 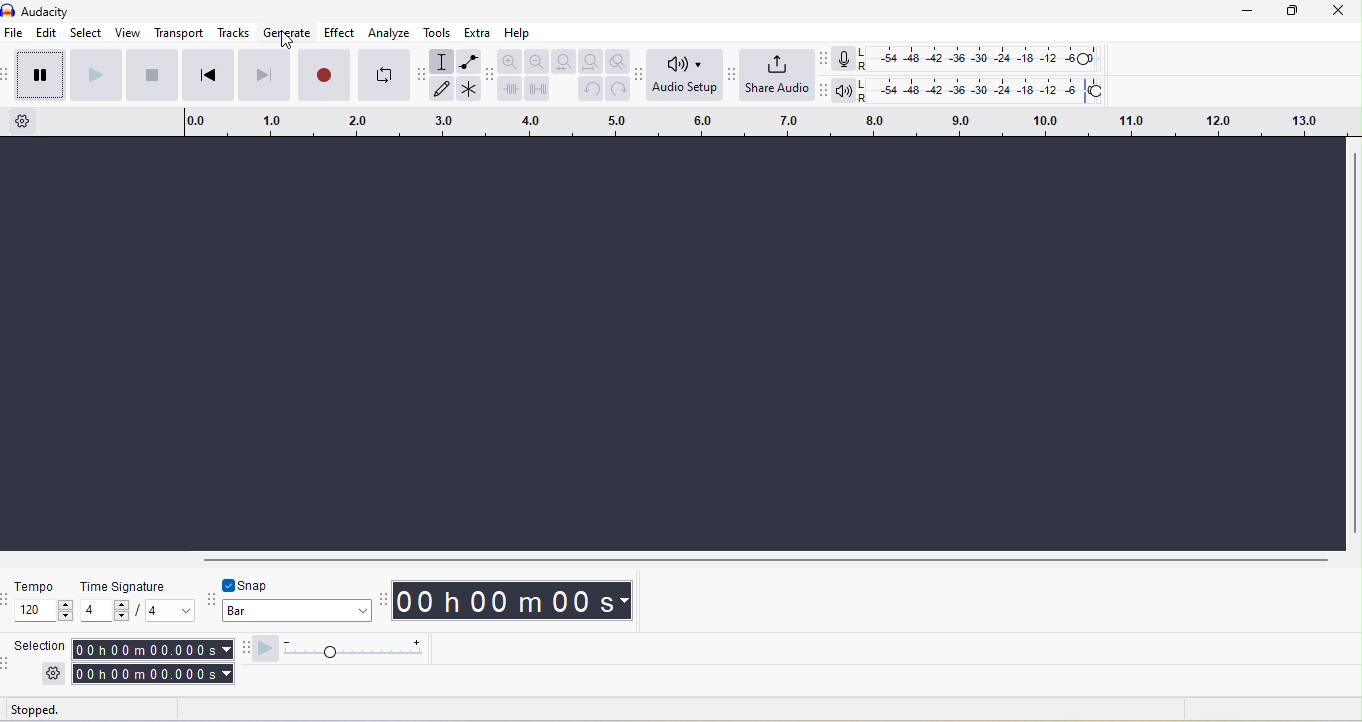 What do you see at coordinates (736, 80) in the screenshot?
I see `audacity share audio toolbar` at bounding box center [736, 80].